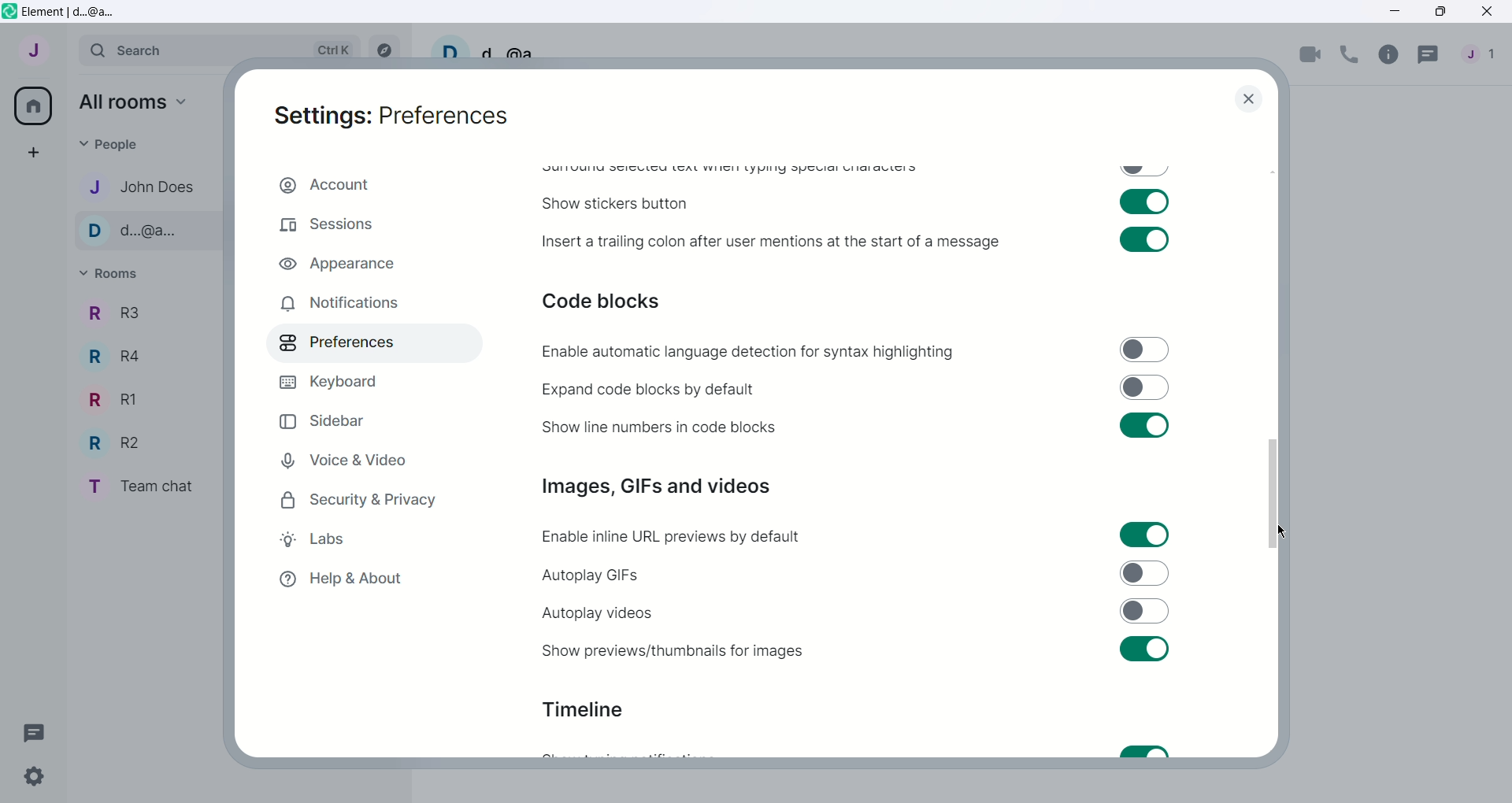  Describe the element at coordinates (1143, 202) in the screenshot. I see `Toggle swtich on for show stickers button` at that location.